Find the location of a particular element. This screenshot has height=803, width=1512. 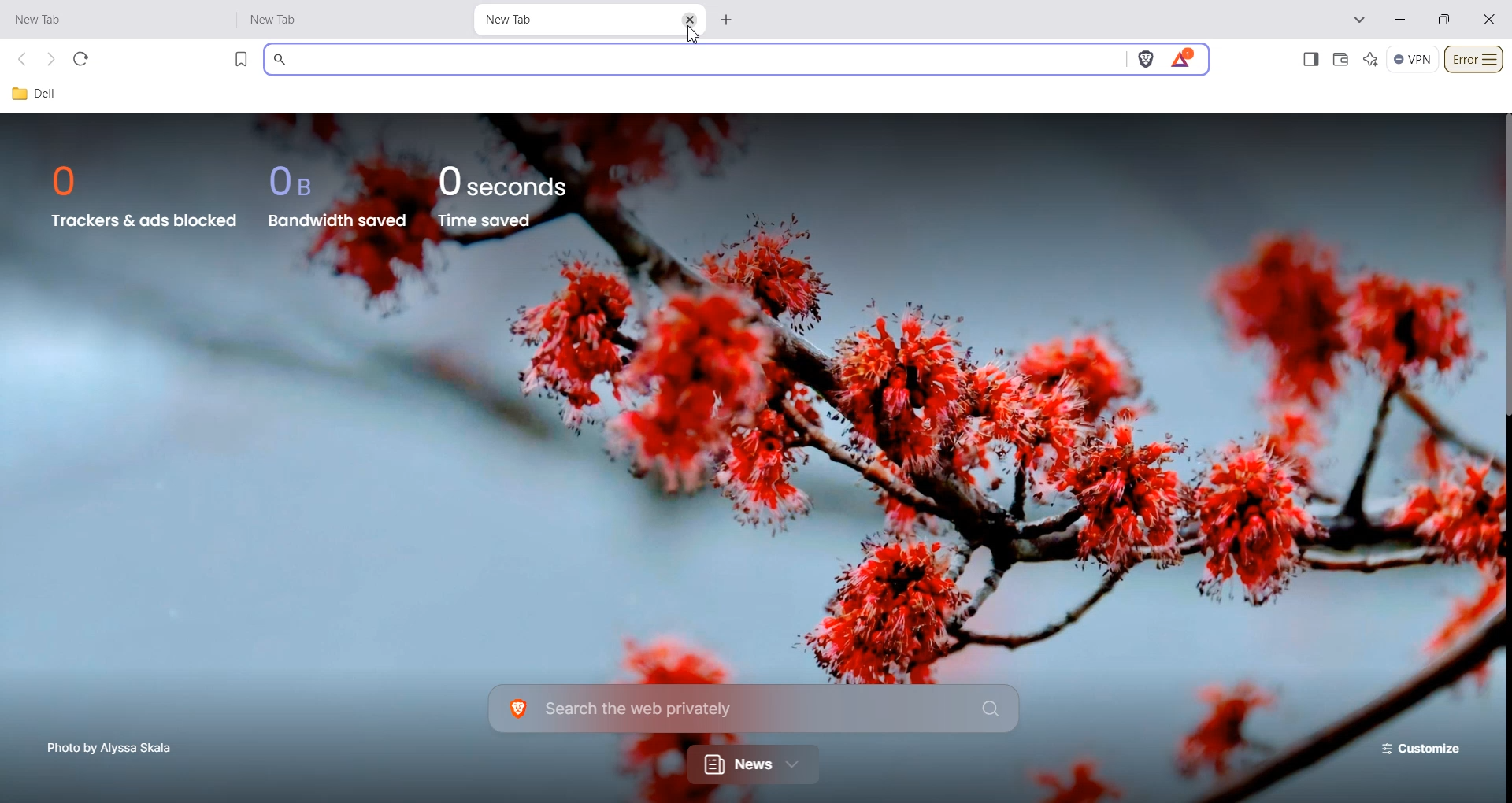

Minimize/Maximize is located at coordinates (1445, 20).